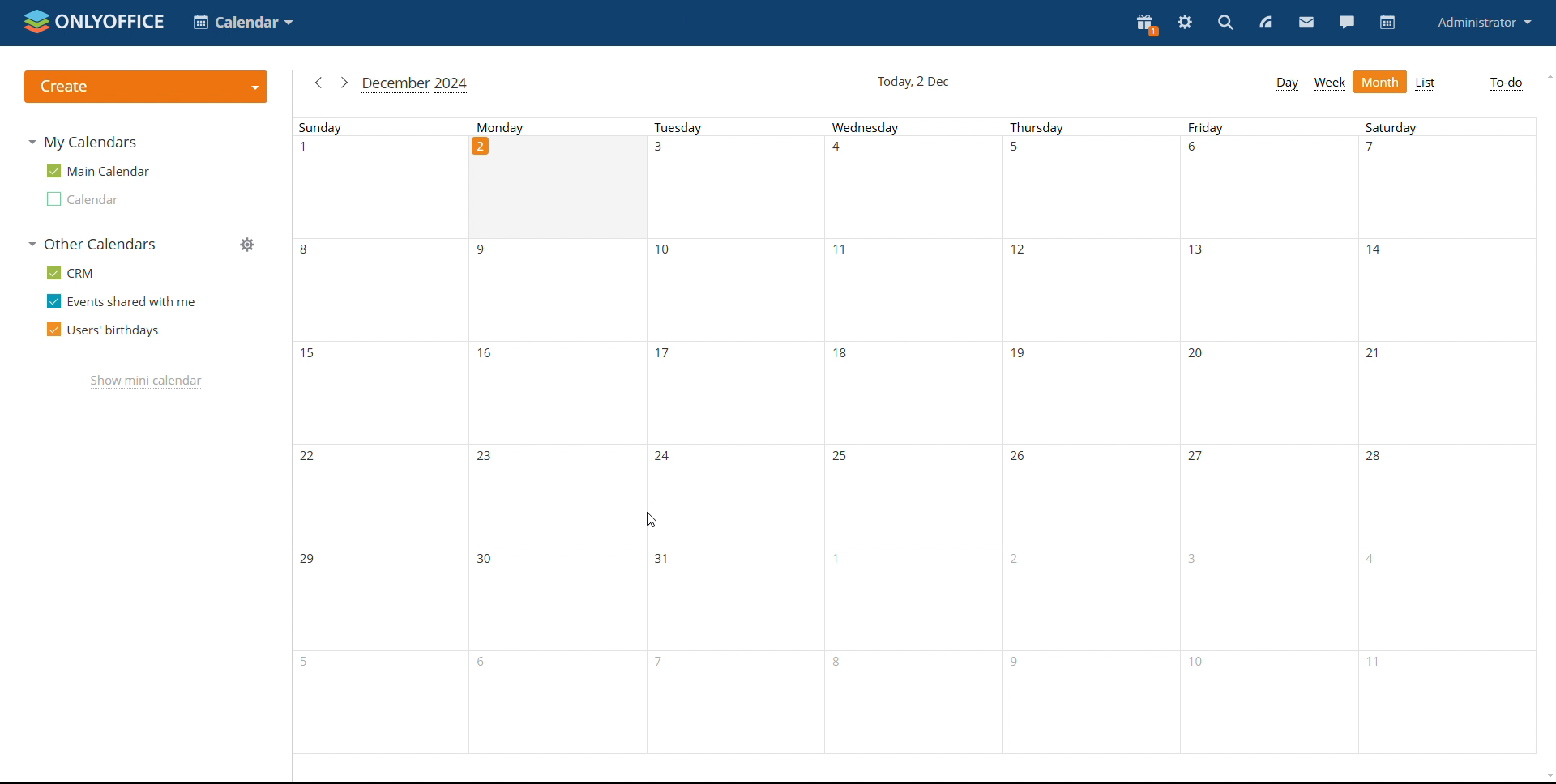  I want to click on logo, so click(94, 20).